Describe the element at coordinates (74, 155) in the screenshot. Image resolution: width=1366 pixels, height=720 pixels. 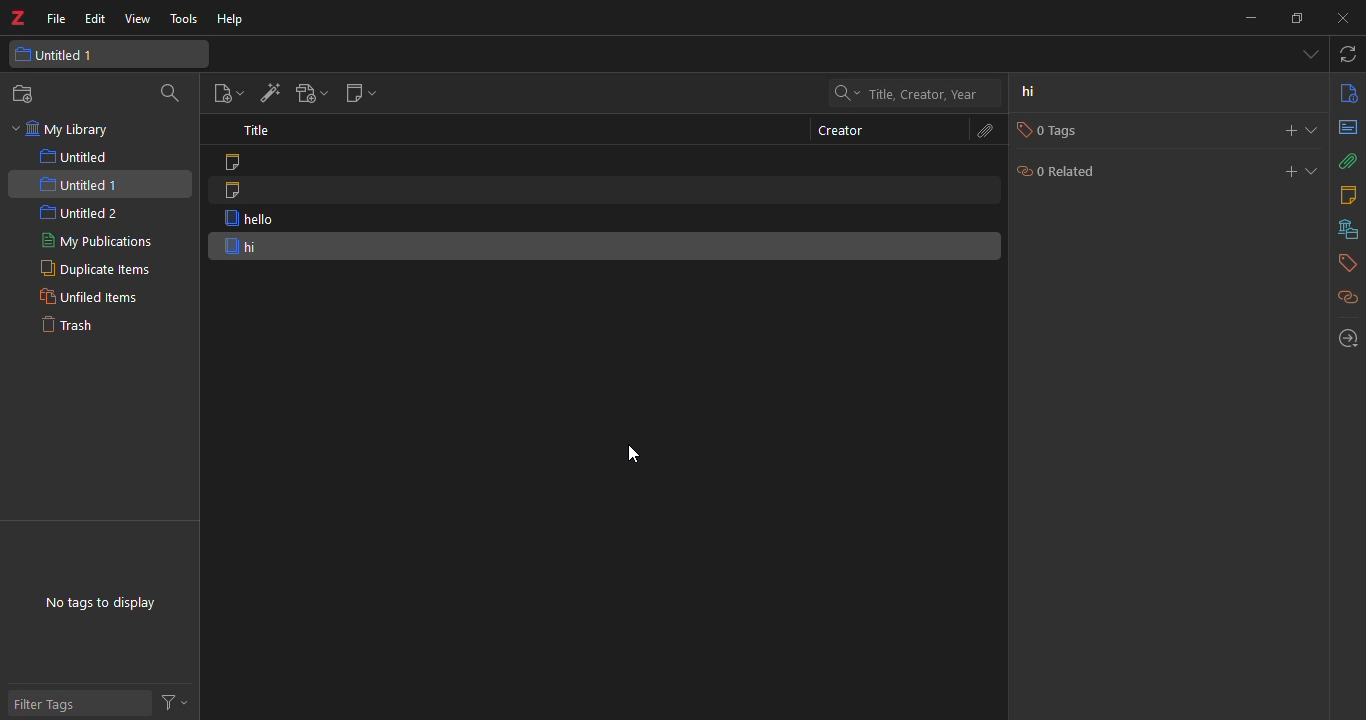
I see `untitled` at that location.